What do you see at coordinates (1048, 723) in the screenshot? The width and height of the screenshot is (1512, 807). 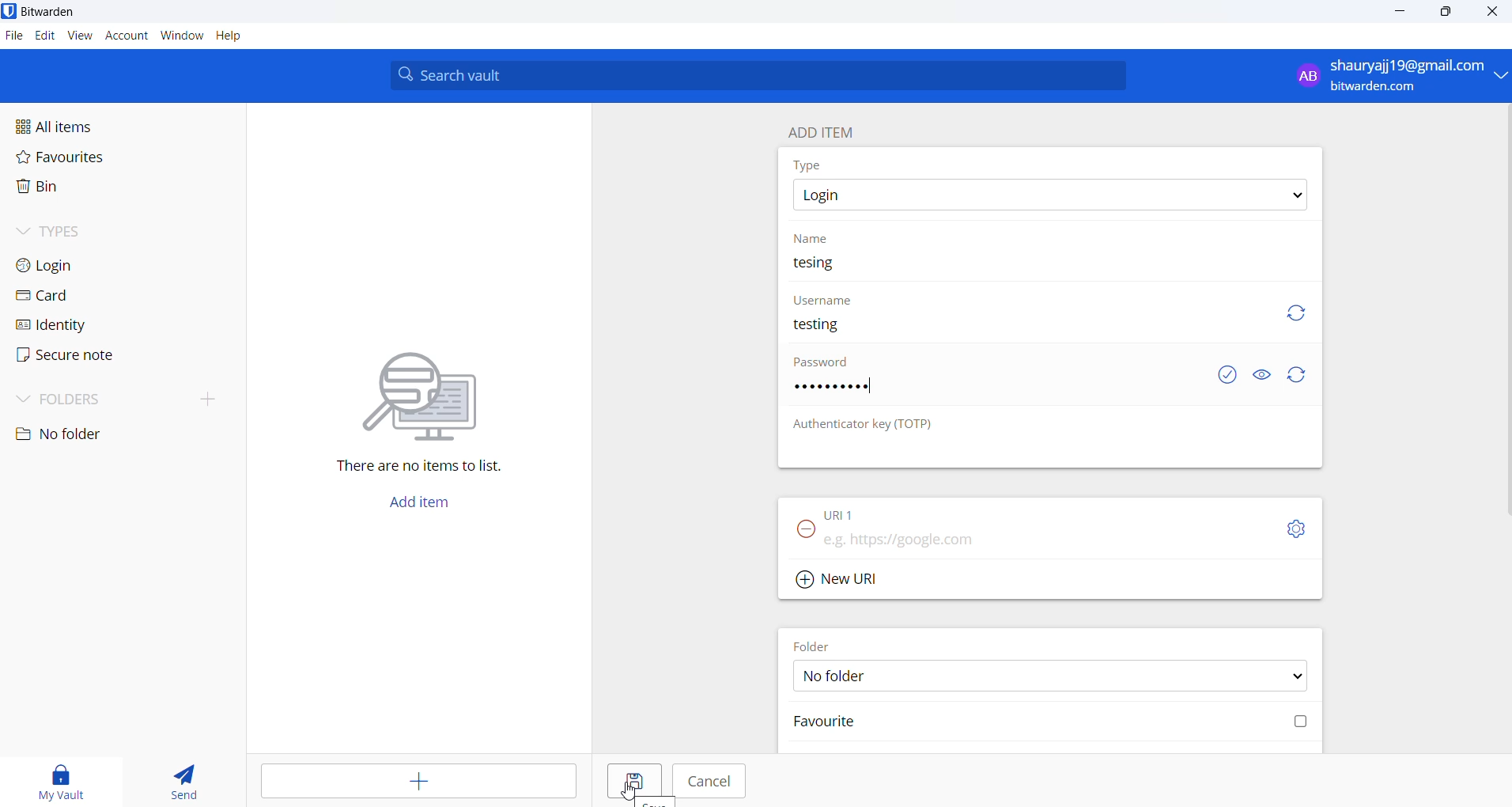 I see `Mark folder favorite checkbox` at bounding box center [1048, 723].